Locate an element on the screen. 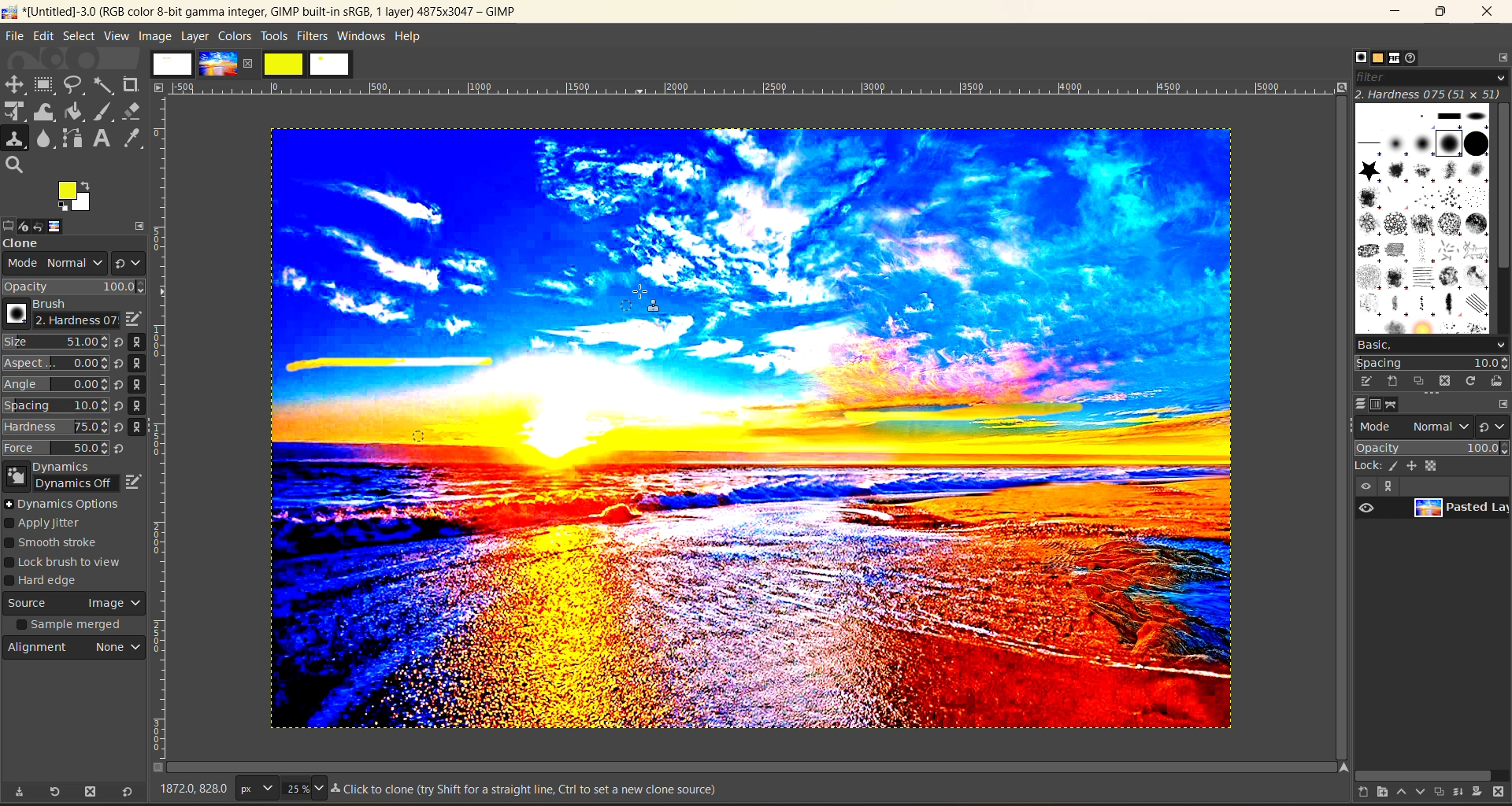 This screenshot has height=806, width=1512. rectangle select tool is located at coordinates (46, 85).